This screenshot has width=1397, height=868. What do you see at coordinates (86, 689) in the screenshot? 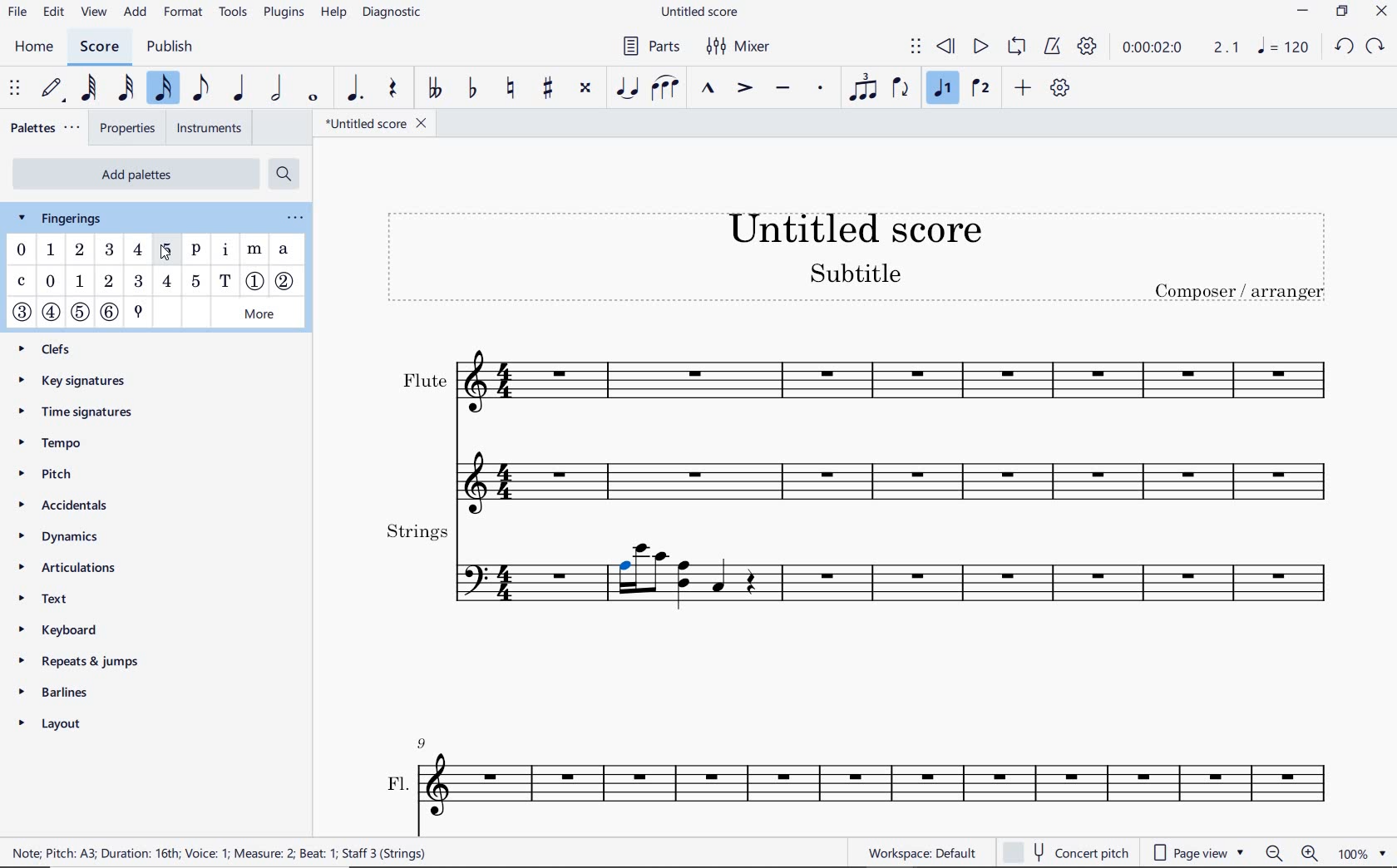
I see `barlines` at bounding box center [86, 689].